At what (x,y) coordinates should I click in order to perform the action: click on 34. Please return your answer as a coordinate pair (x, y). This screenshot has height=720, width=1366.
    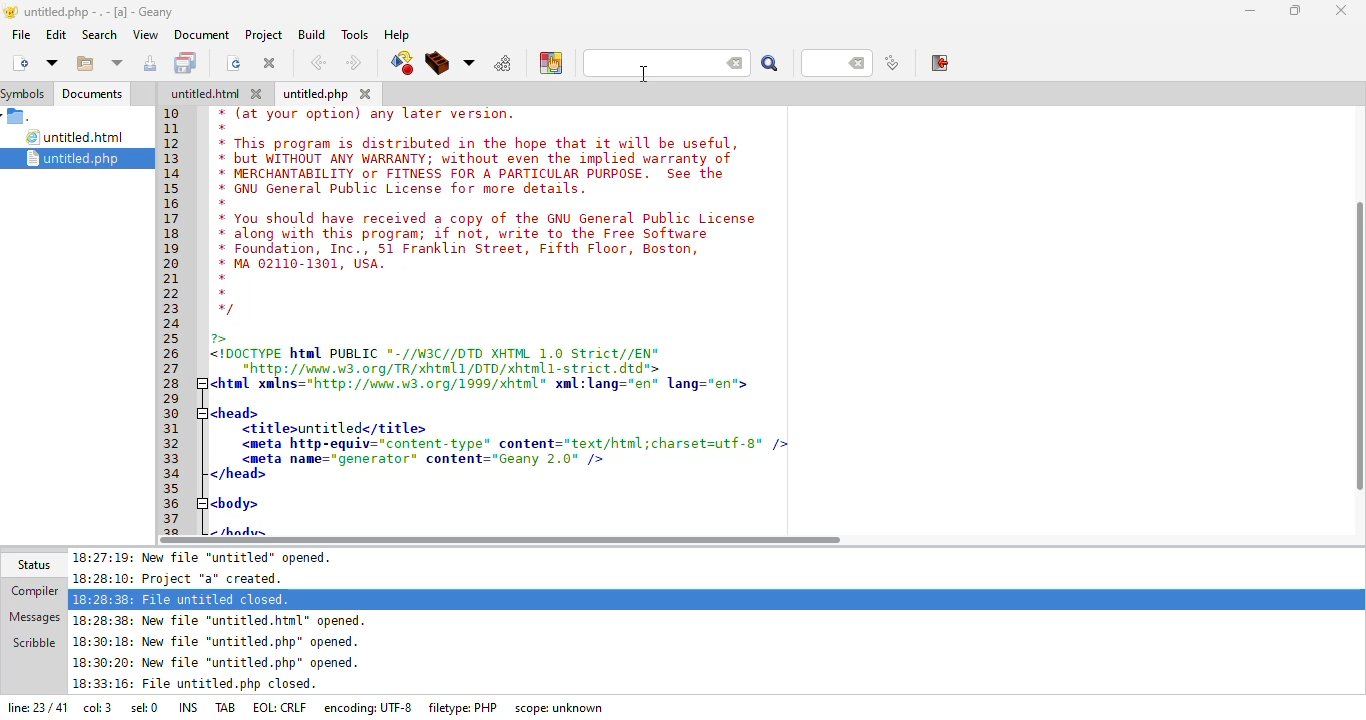
    Looking at the image, I should click on (175, 474).